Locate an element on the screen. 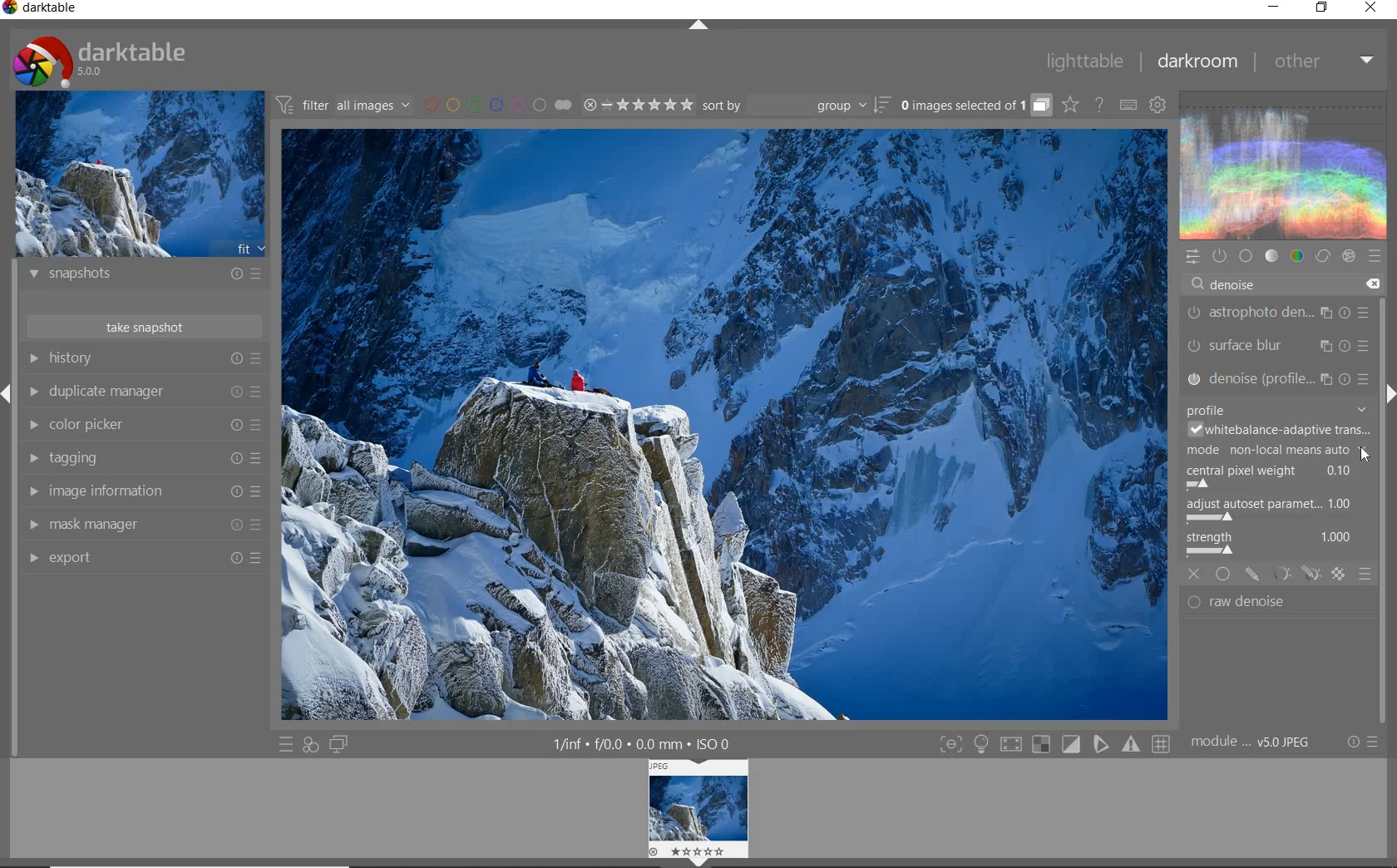 Image resolution: width=1397 pixels, height=868 pixels. tagging is located at coordinates (143, 459).